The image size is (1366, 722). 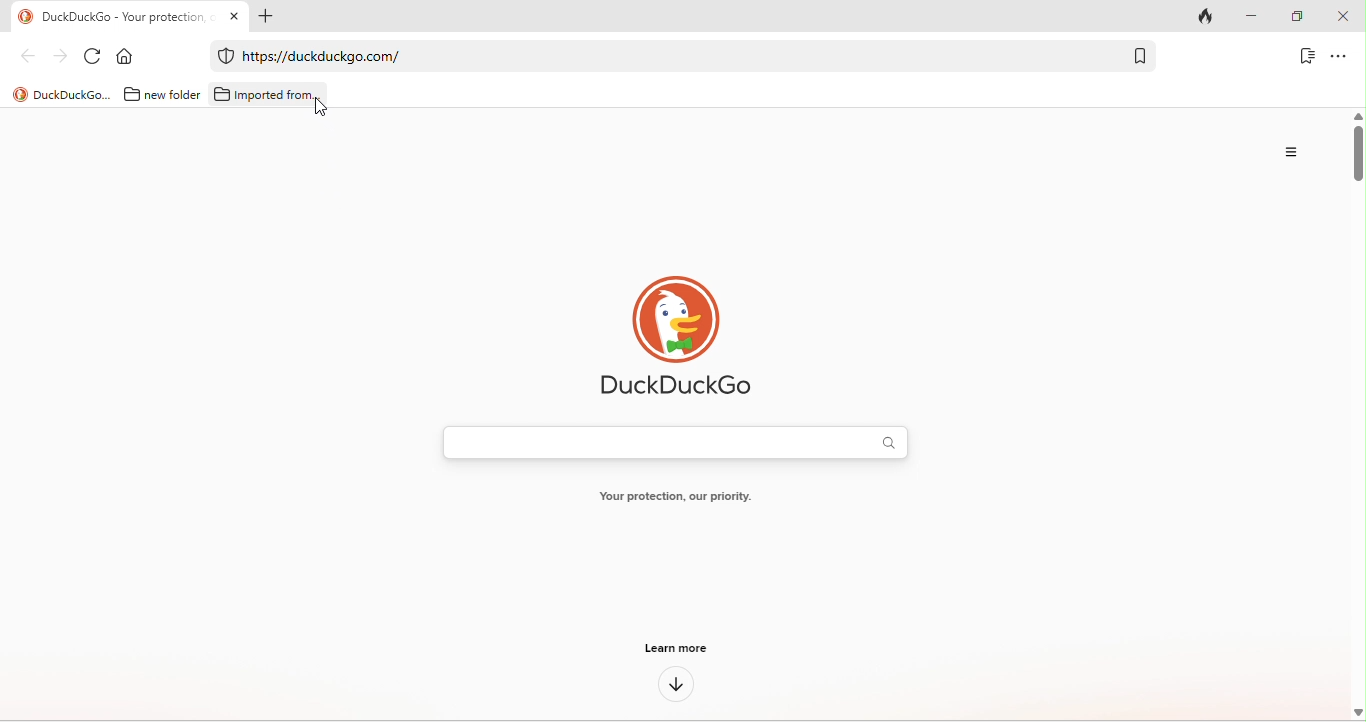 I want to click on down arrow, so click(x=675, y=687).